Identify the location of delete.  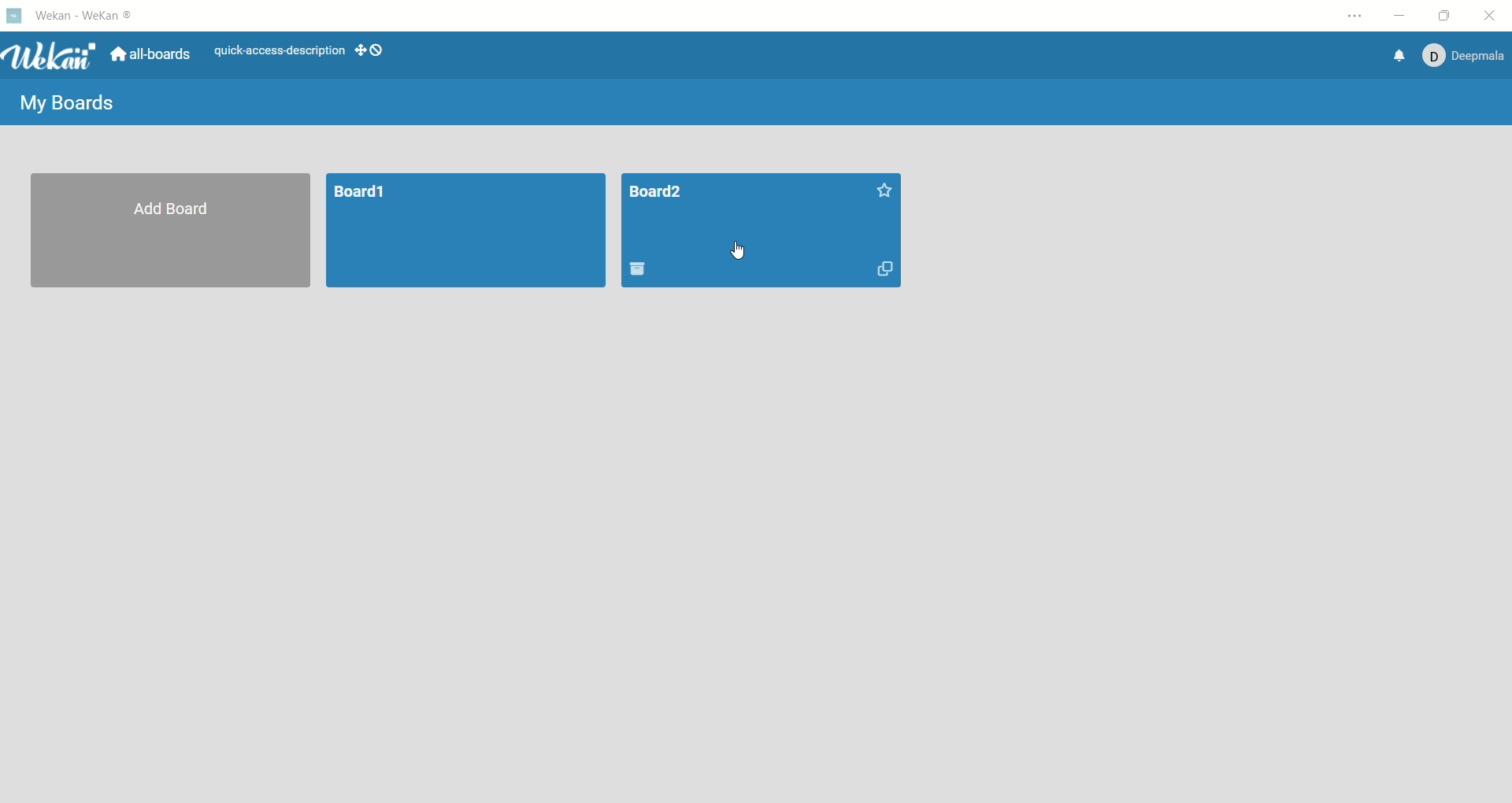
(637, 272).